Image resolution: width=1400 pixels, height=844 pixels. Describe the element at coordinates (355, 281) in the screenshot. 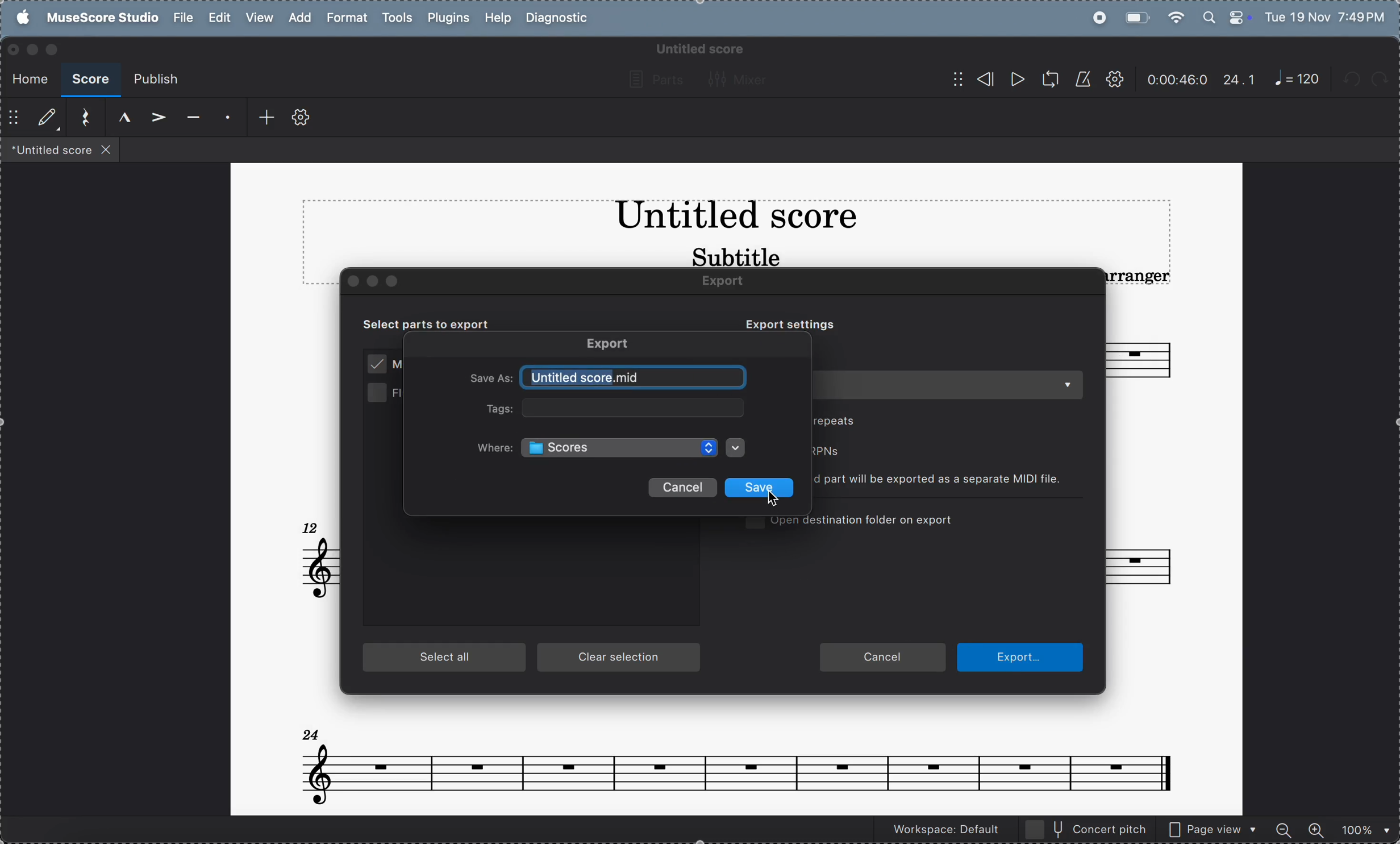

I see `close` at that location.